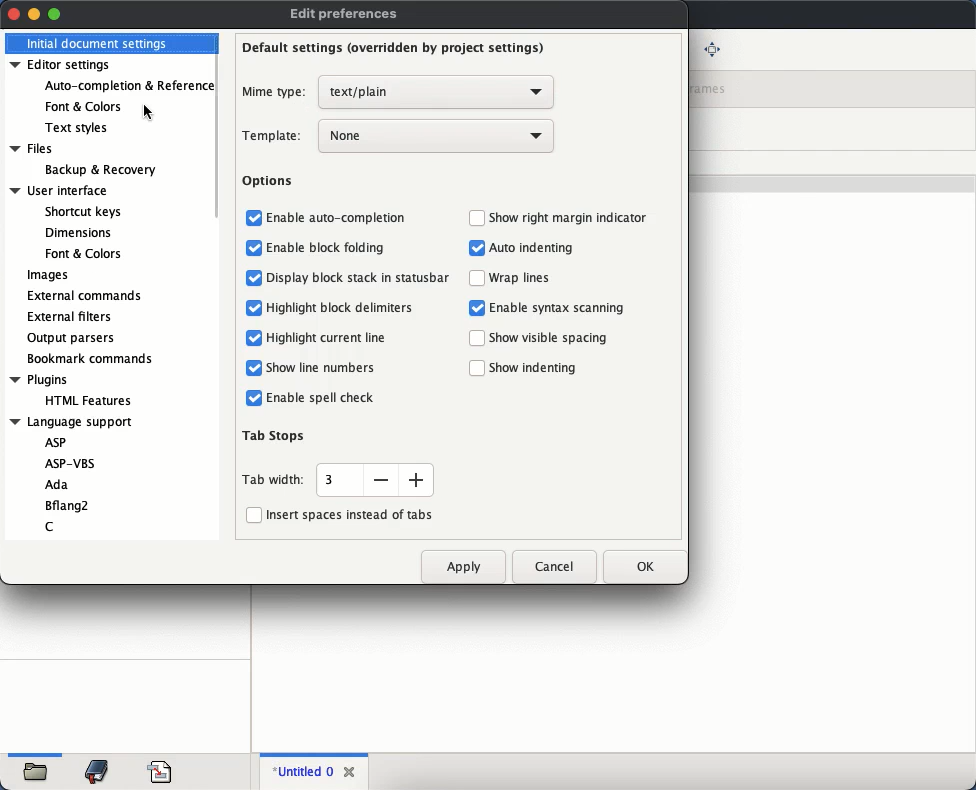 The height and width of the screenshot is (790, 976). I want to click on frames, so click(709, 90).